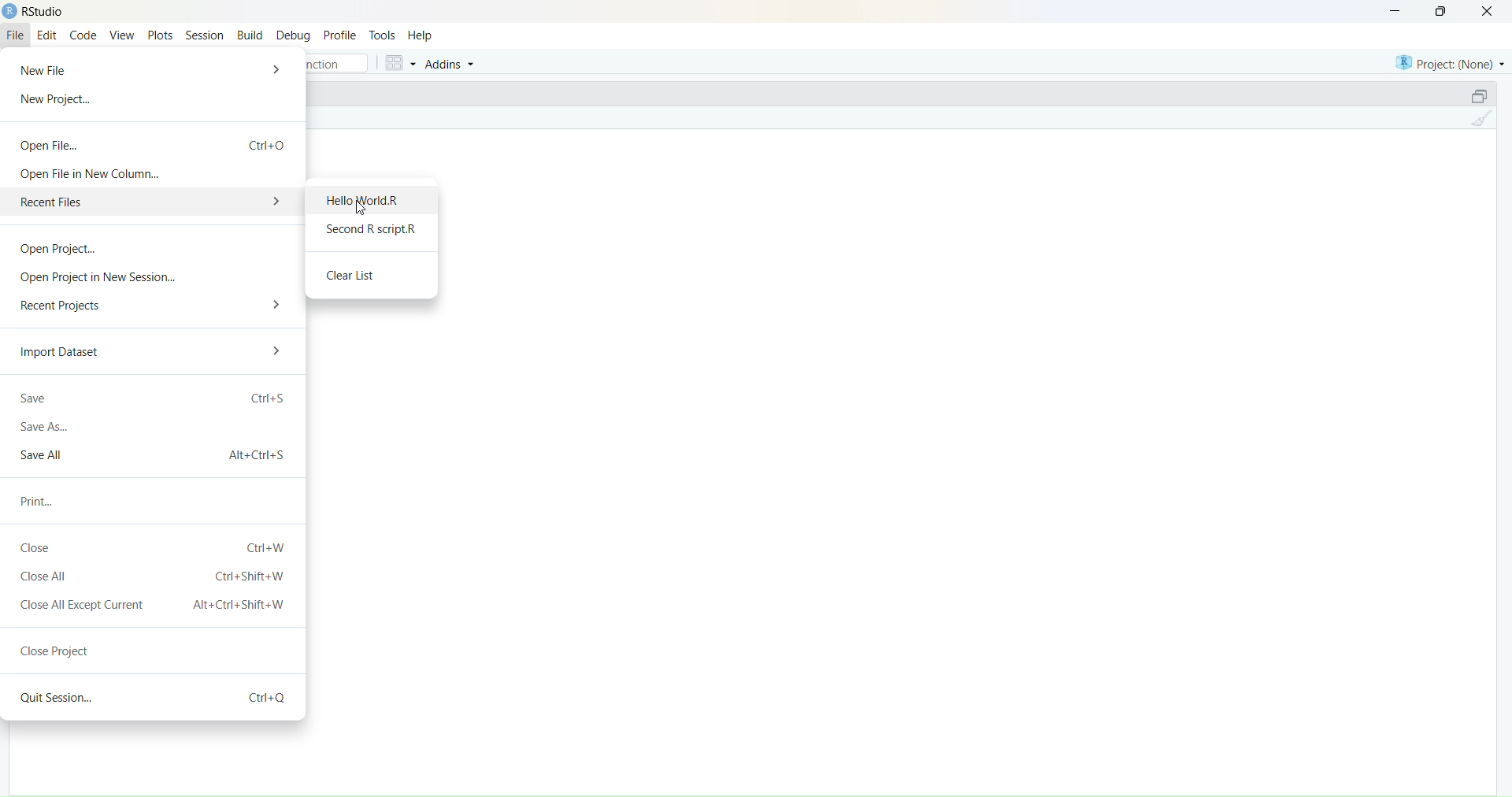 The height and width of the screenshot is (797, 1512). What do you see at coordinates (278, 303) in the screenshot?
I see `More` at bounding box center [278, 303].